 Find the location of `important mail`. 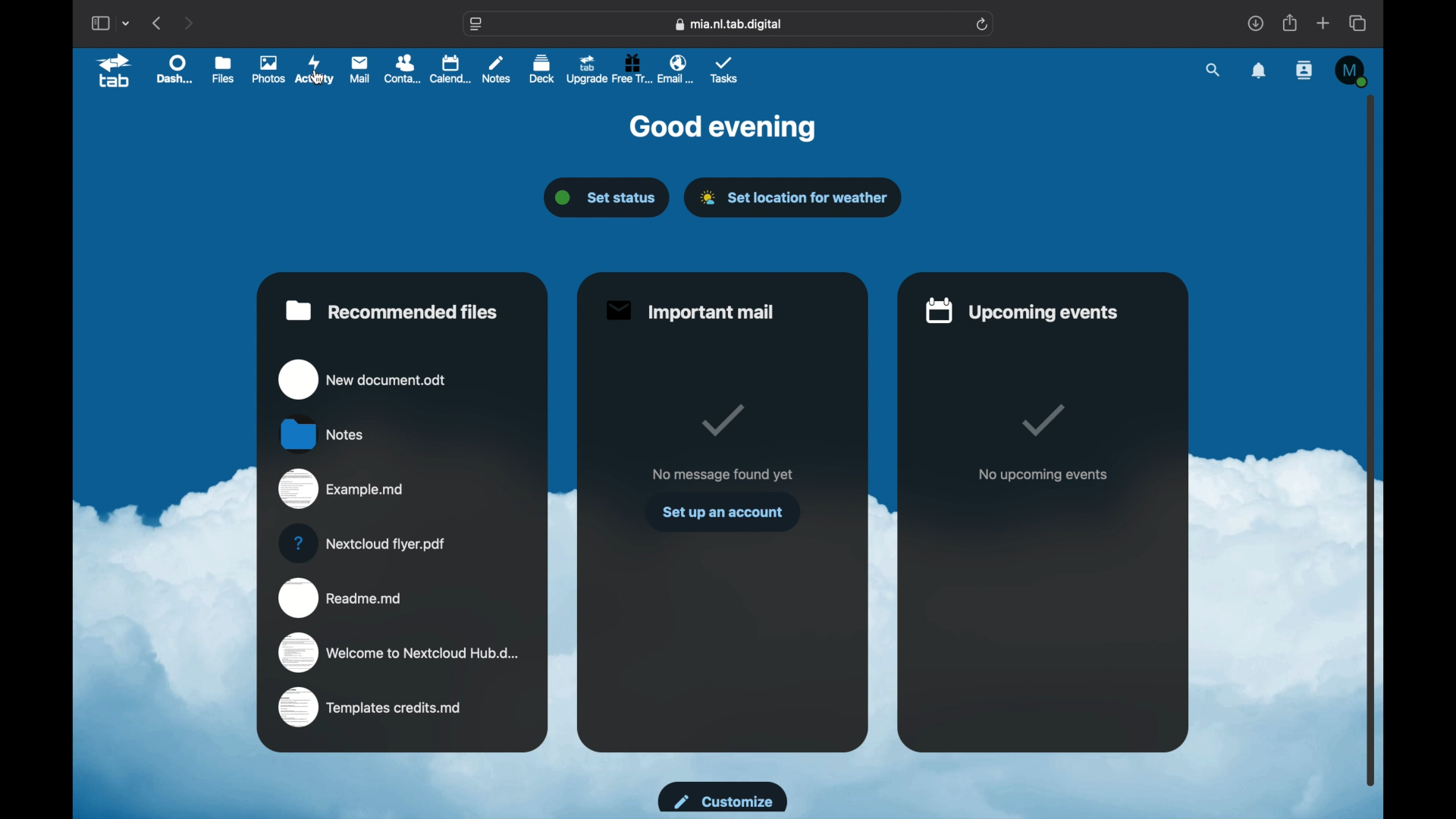

important mail is located at coordinates (692, 312).